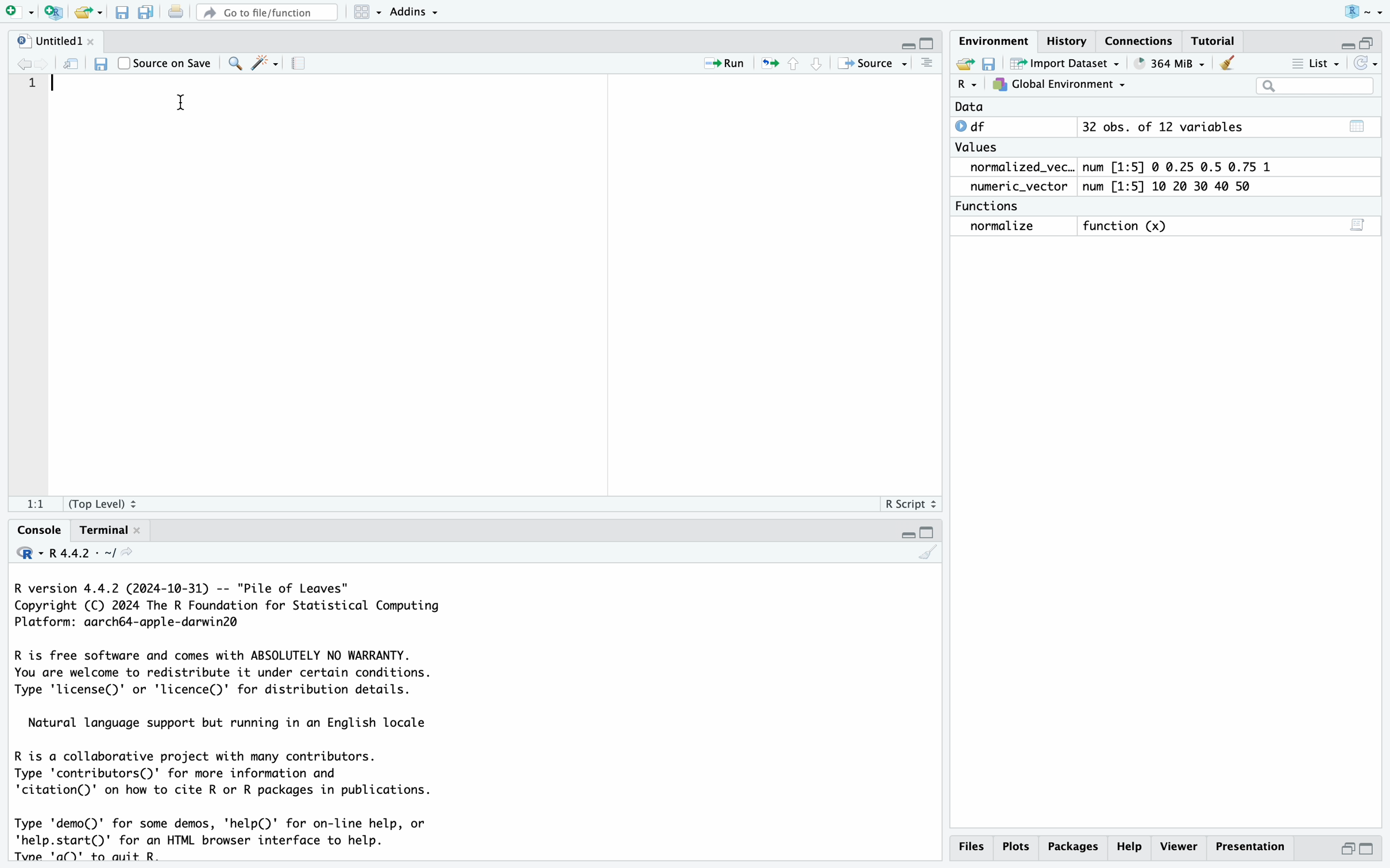 The height and width of the screenshot is (868, 1390). Describe the element at coordinates (24, 63) in the screenshot. I see `Back` at that location.